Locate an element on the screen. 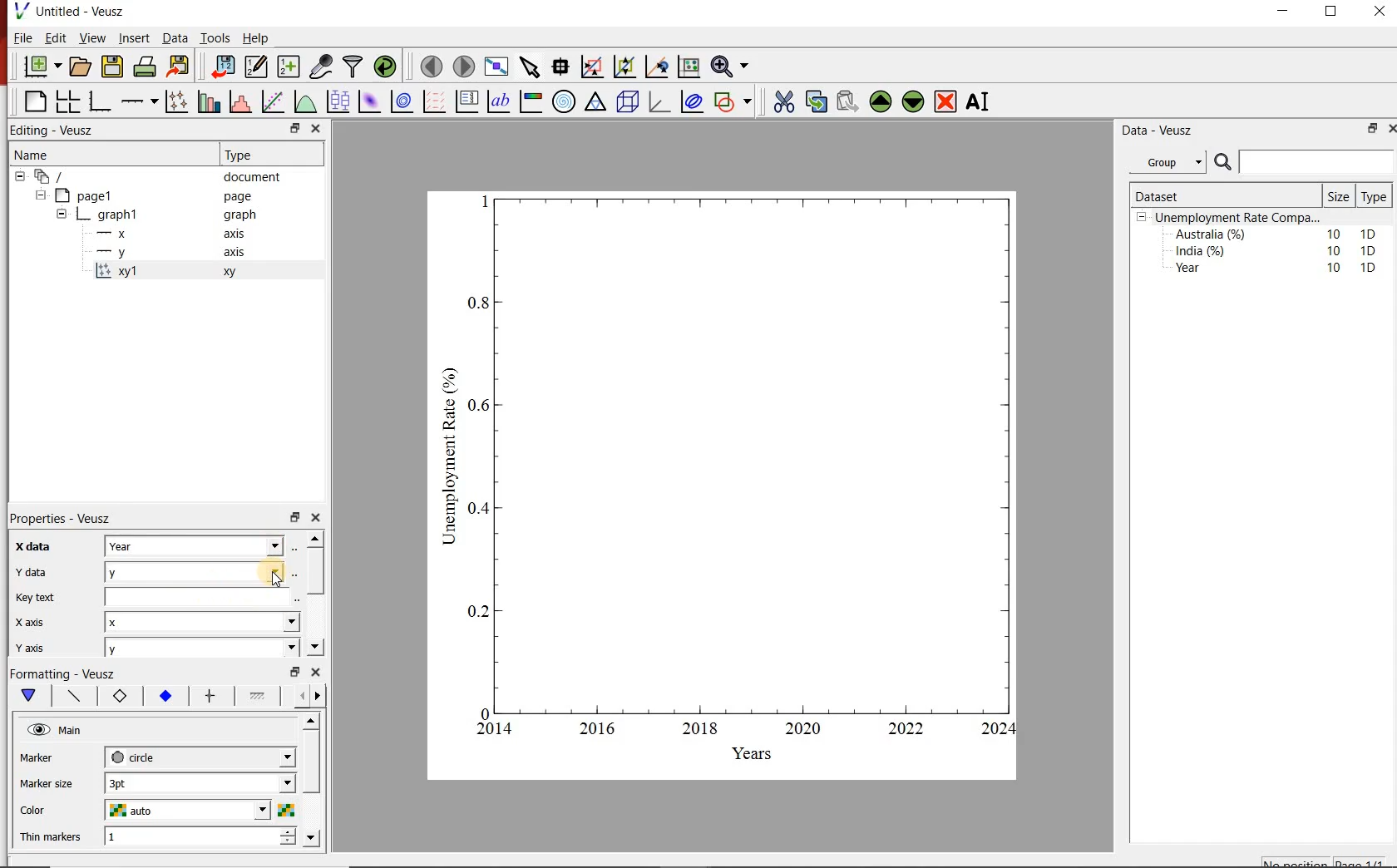  Thin markers is located at coordinates (52, 838).